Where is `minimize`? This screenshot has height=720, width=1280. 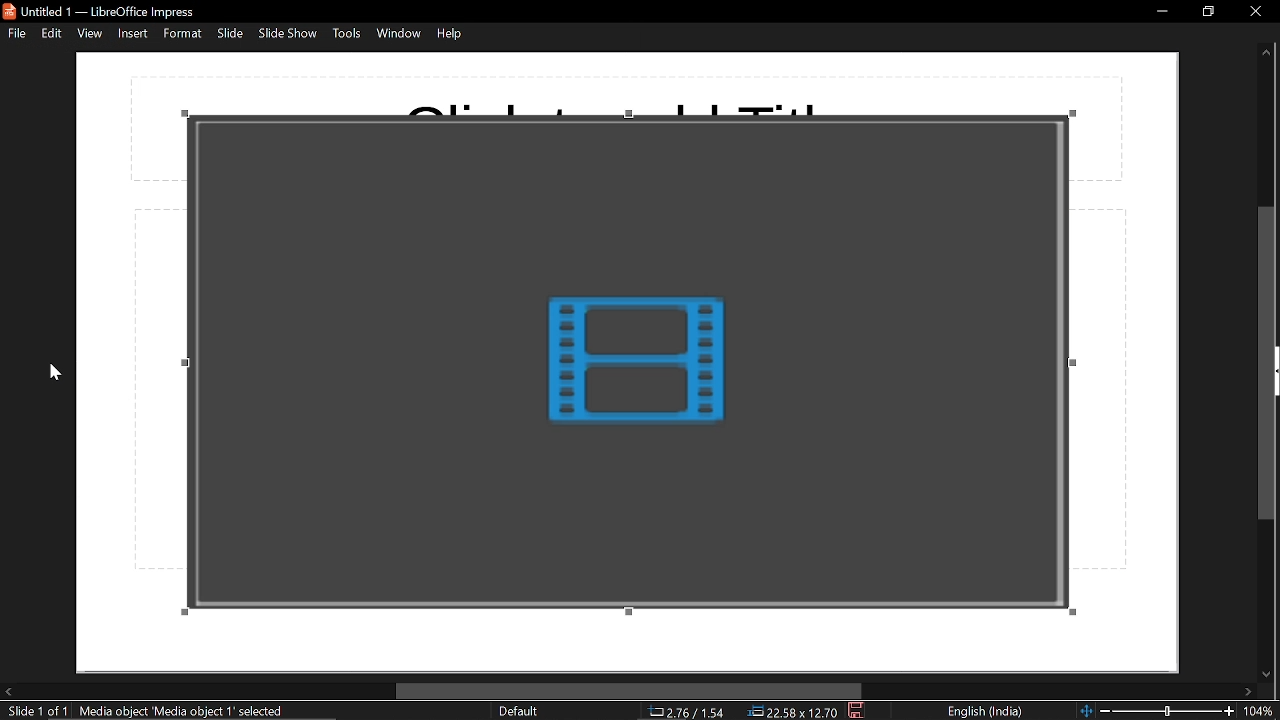
minimize is located at coordinates (1158, 13).